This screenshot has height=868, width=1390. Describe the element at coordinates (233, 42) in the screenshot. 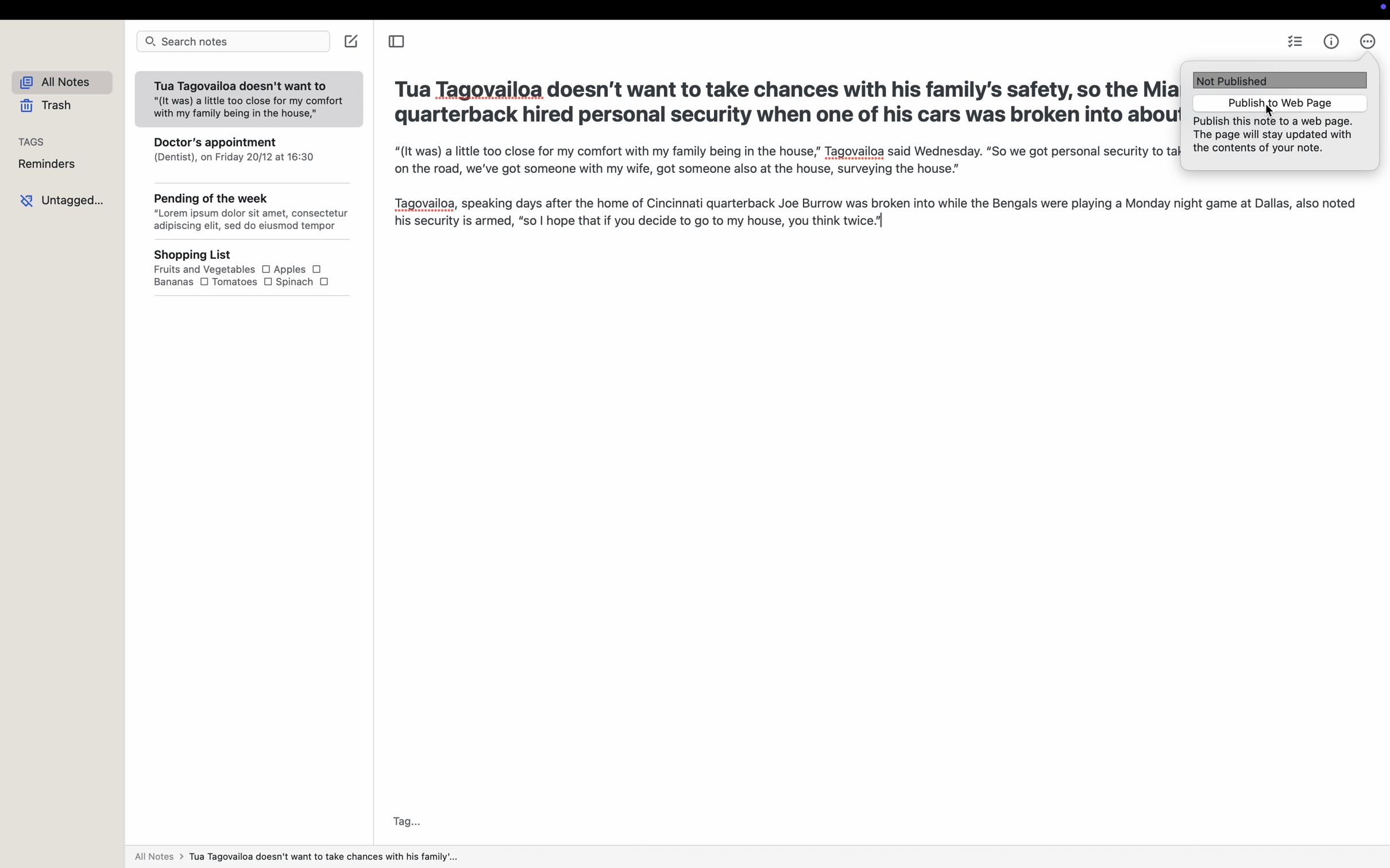

I see `search bar` at that location.